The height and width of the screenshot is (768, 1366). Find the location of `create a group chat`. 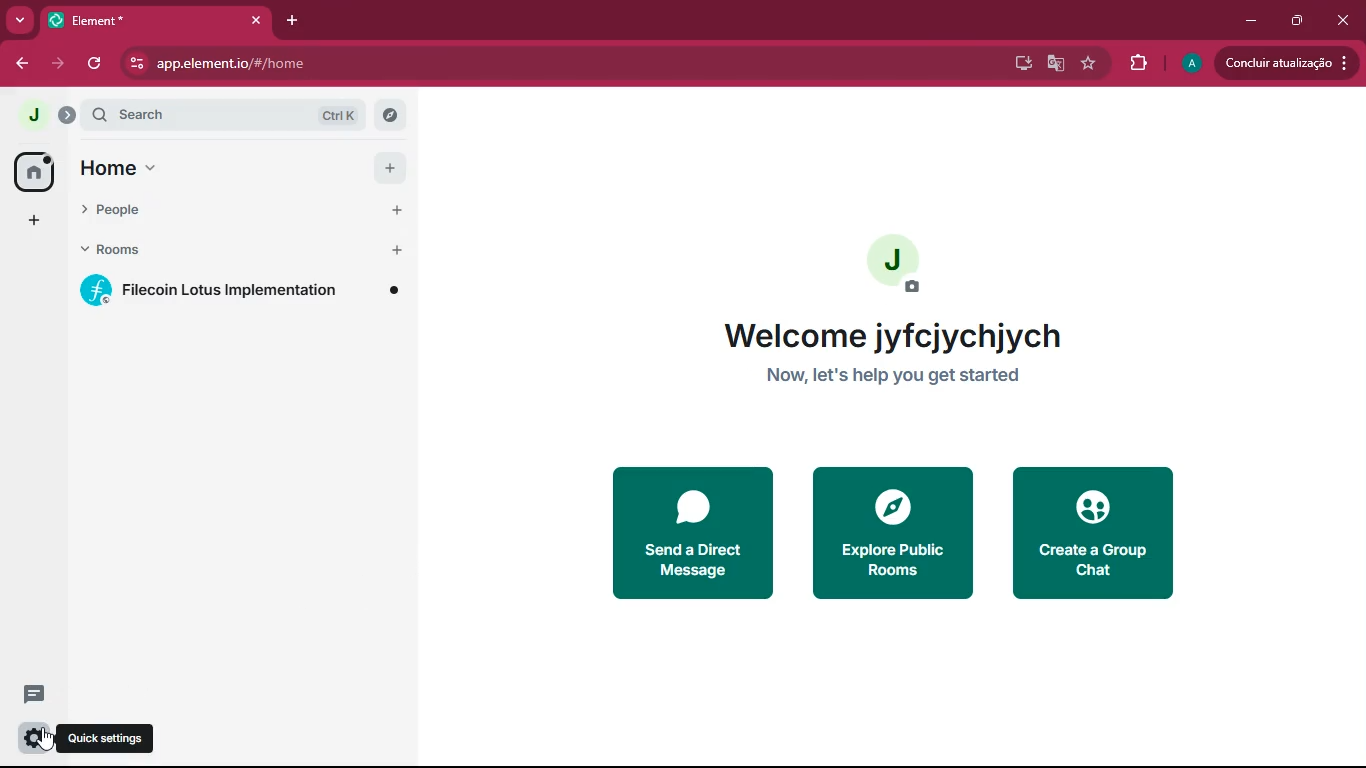

create a group chat is located at coordinates (1091, 536).